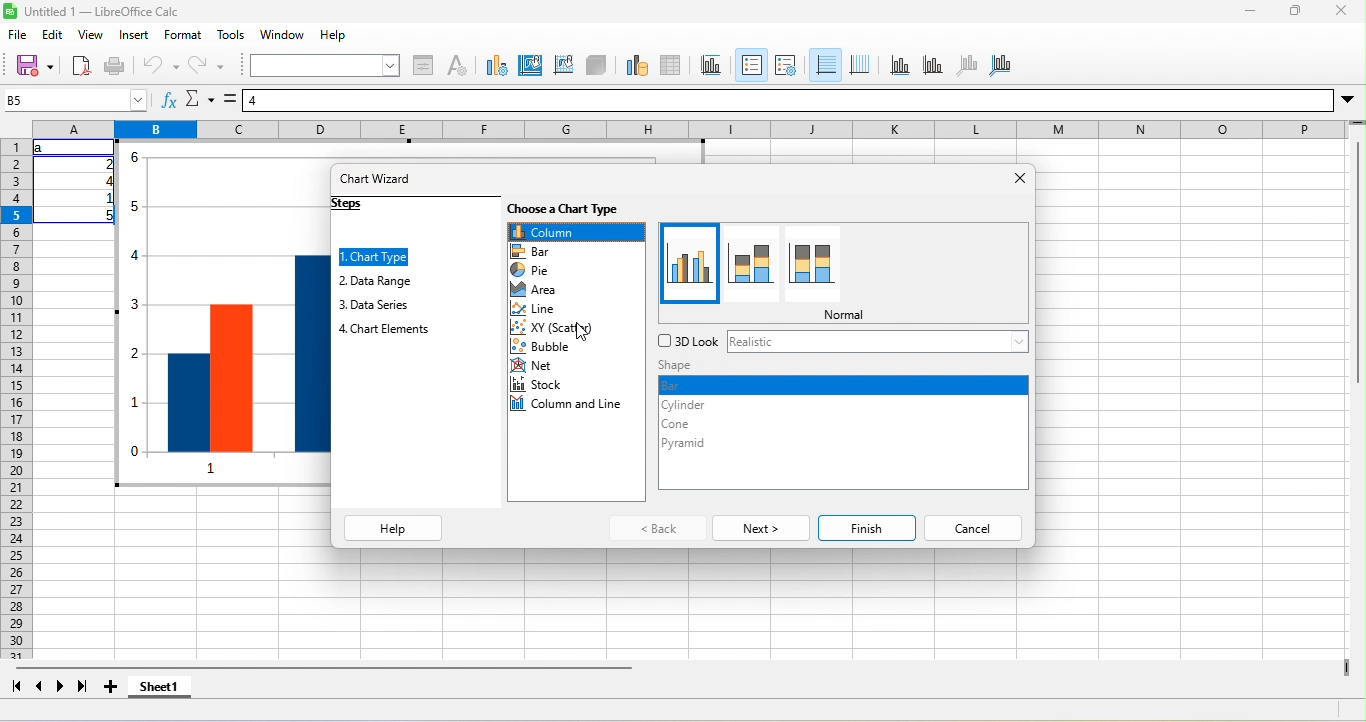 Image resolution: width=1366 pixels, height=722 pixels. I want to click on x axis, so click(900, 67).